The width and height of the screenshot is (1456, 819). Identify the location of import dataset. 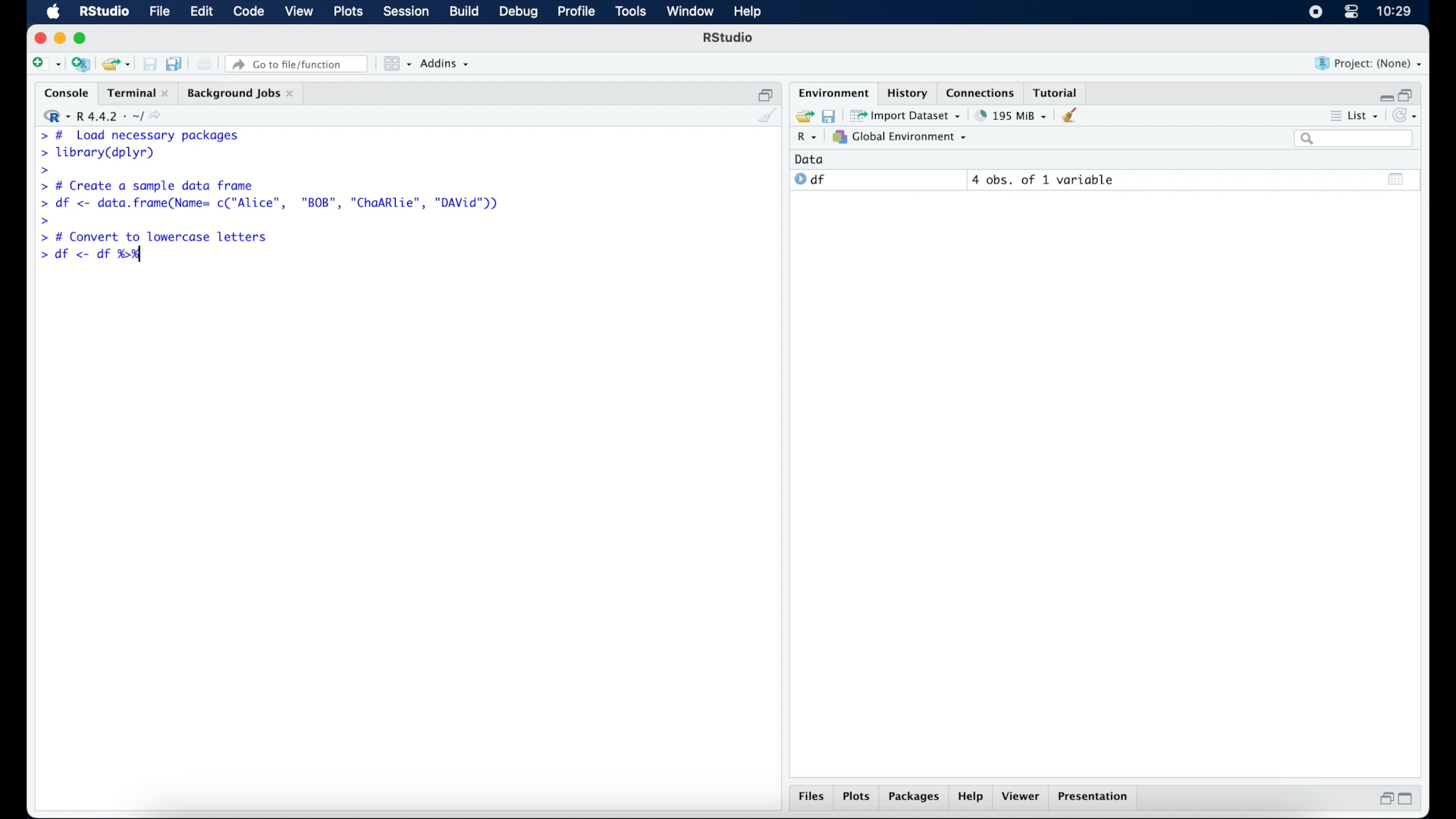
(907, 115).